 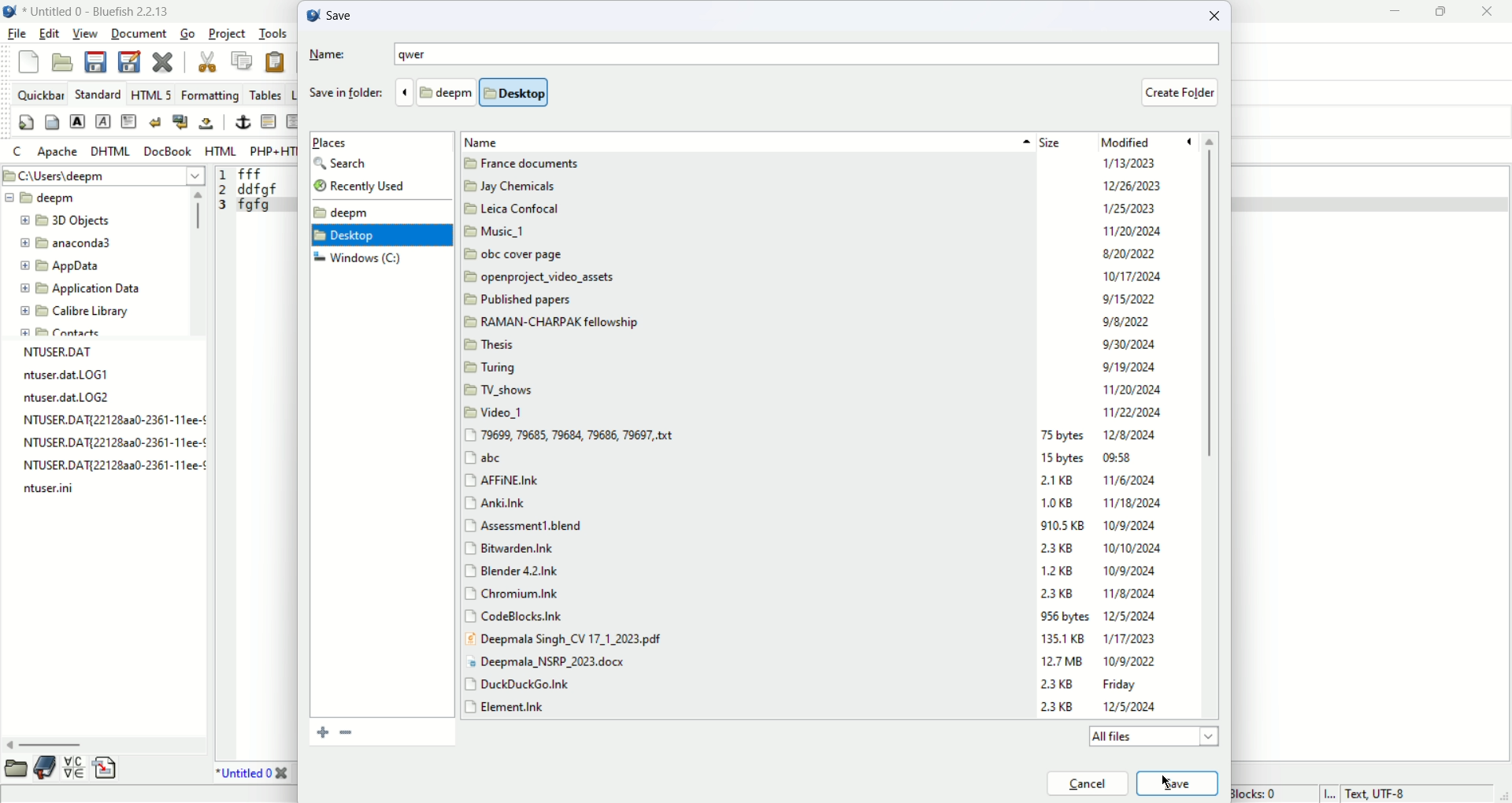 I want to click on application, so click(x=76, y=289).